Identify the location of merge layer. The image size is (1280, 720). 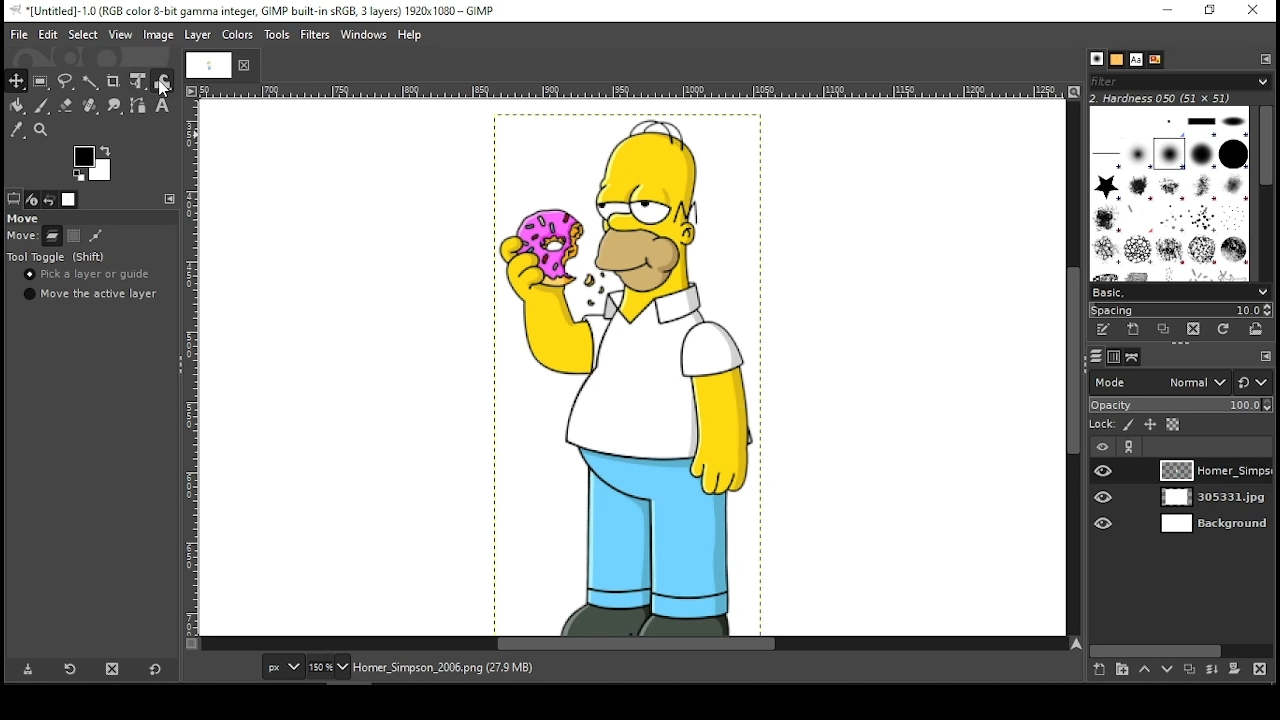
(1212, 669).